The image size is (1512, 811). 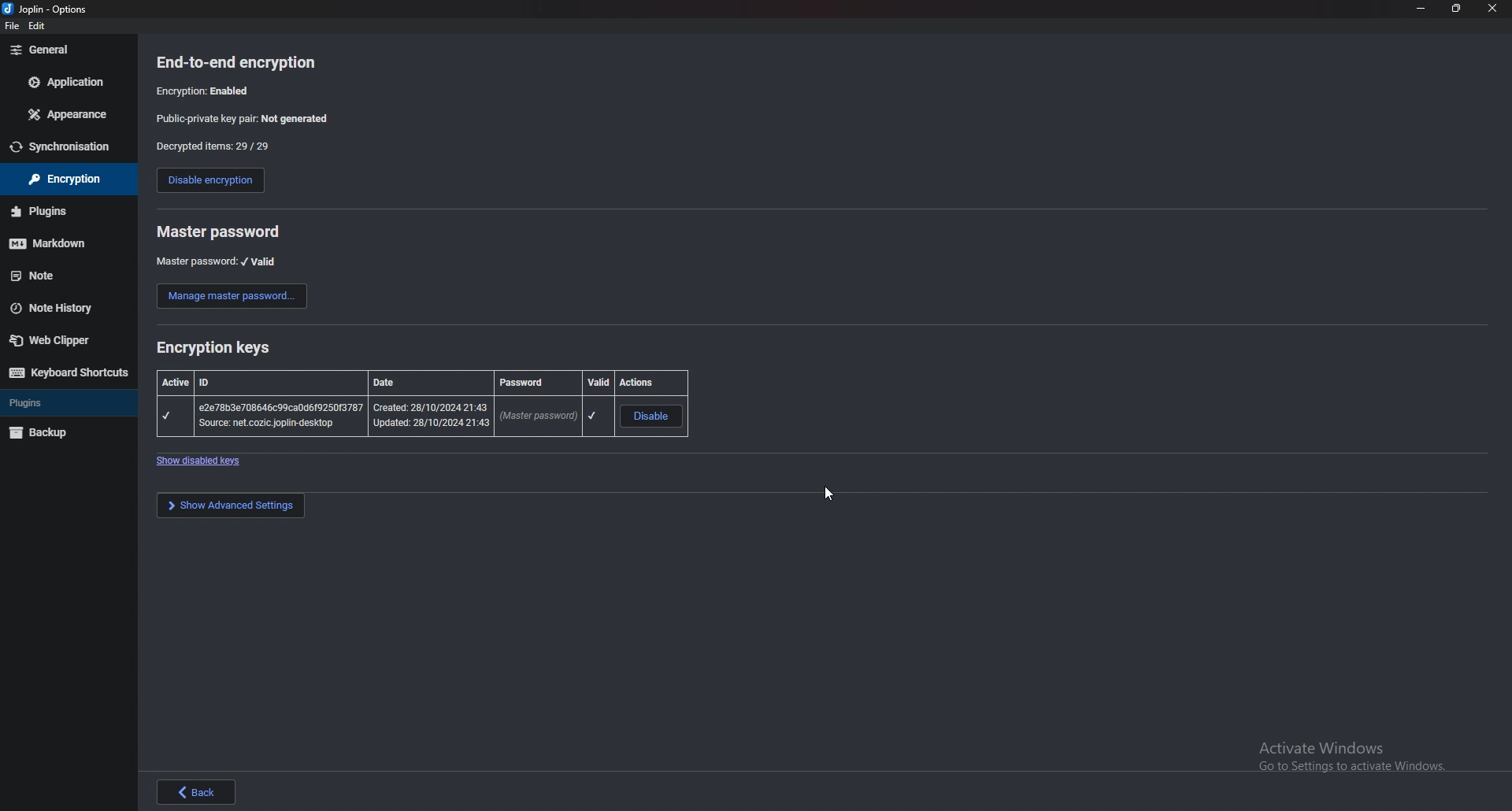 I want to click on manage master password, so click(x=231, y=295).